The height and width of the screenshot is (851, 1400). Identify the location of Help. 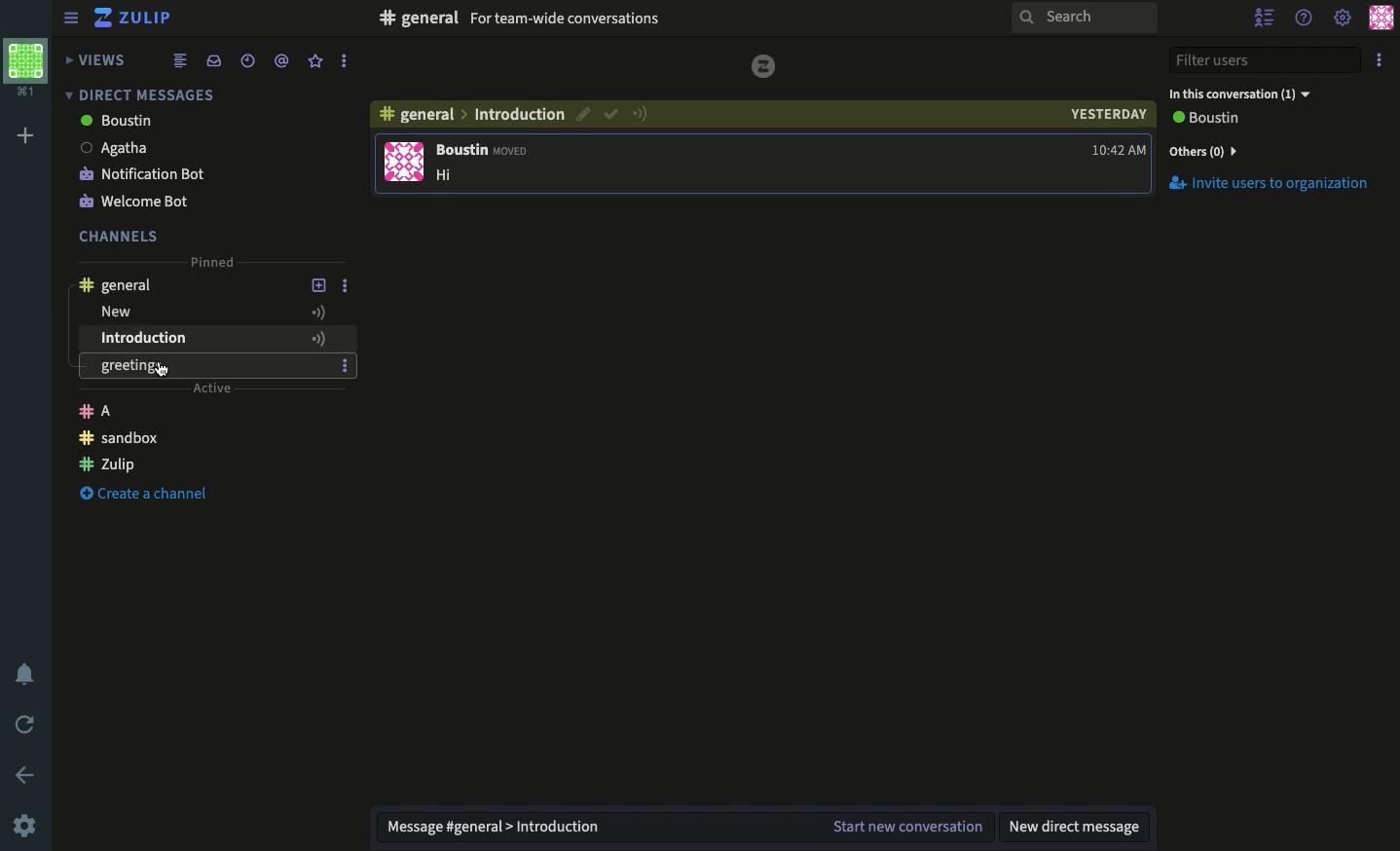
(1305, 15).